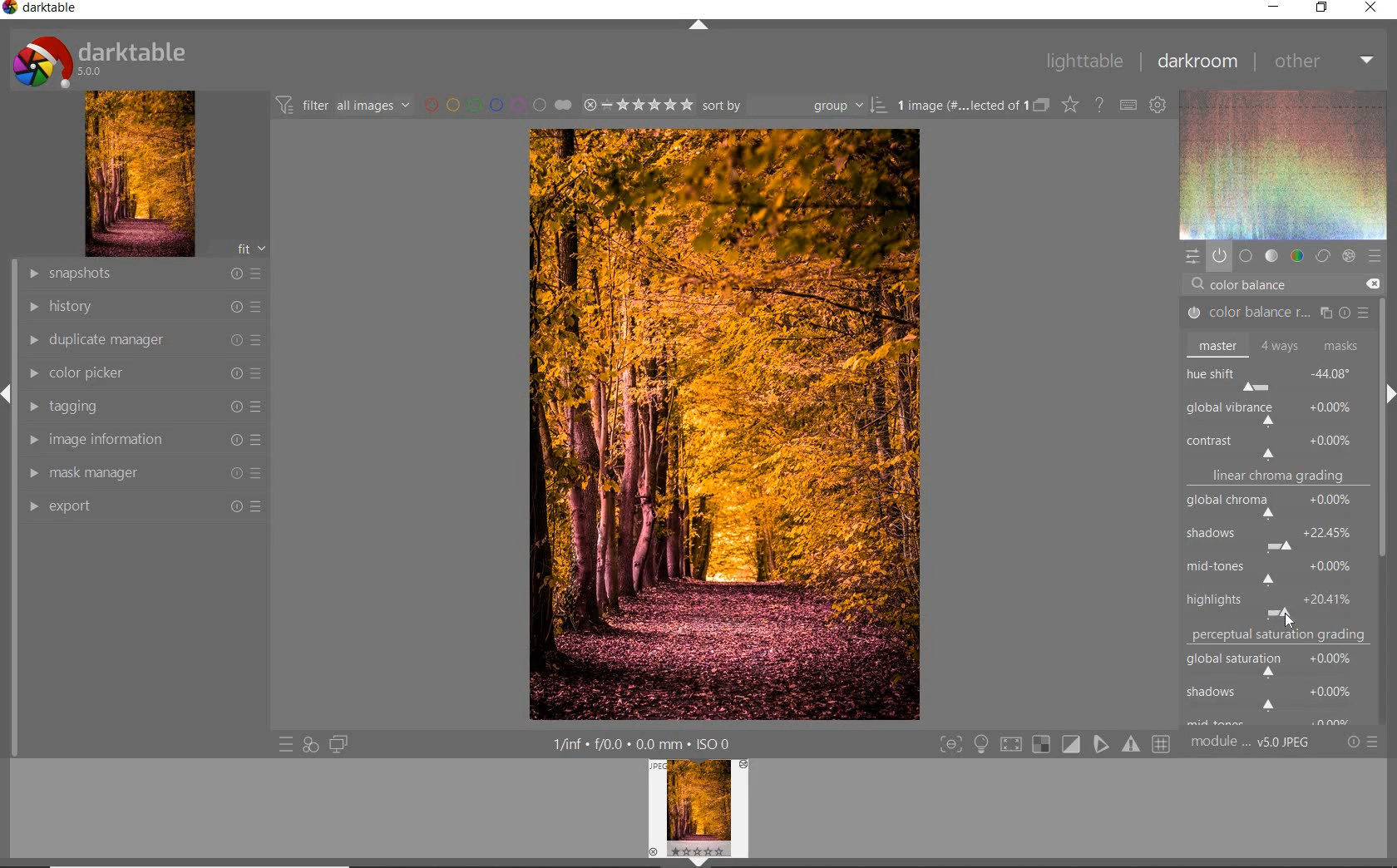 The width and height of the screenshot is (1397, 868). I want to click on DELETE, so click(1372, 284).